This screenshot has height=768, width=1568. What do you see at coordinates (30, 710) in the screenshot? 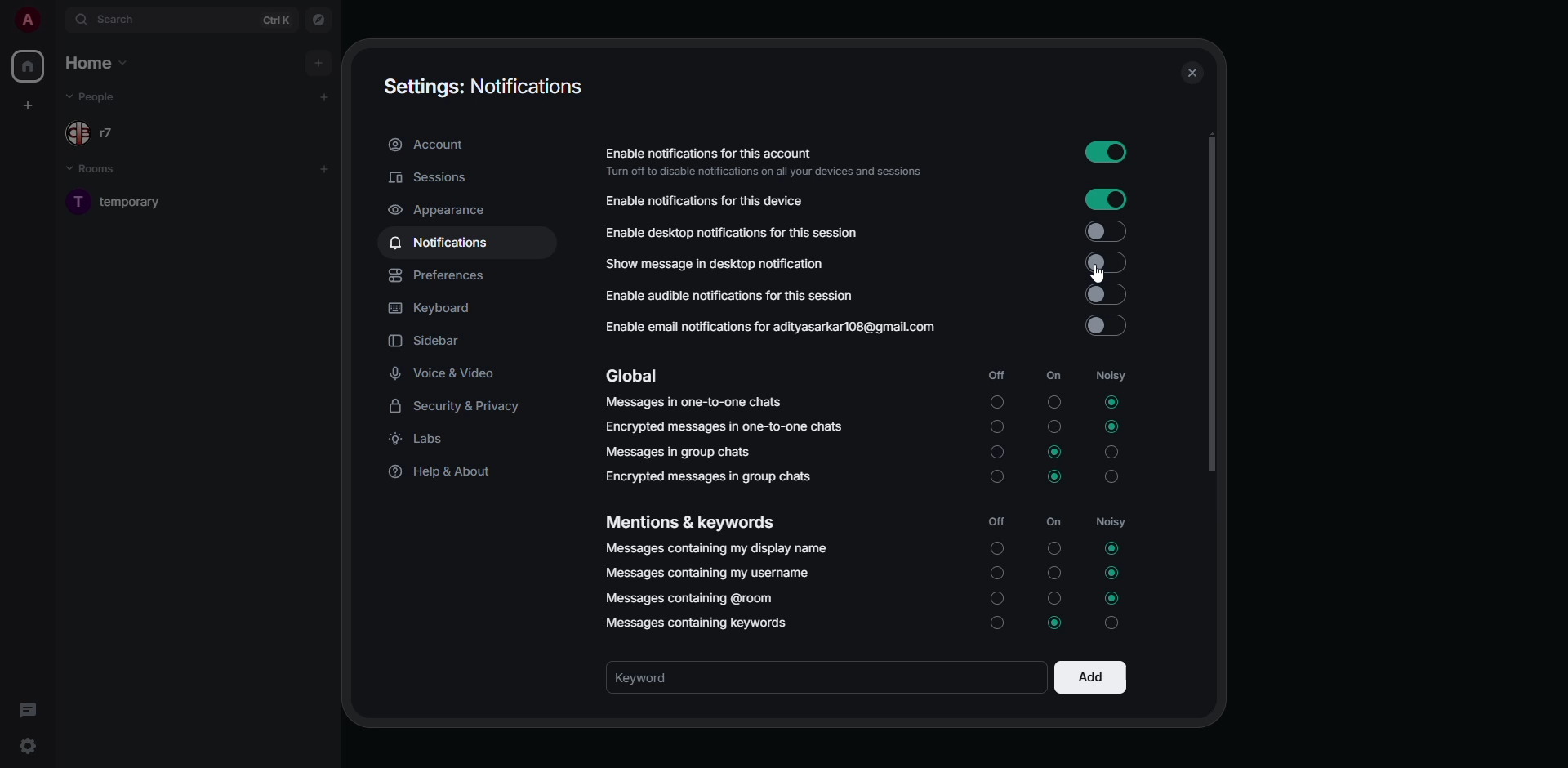
I see `threads` at bounding box center [30, 710].